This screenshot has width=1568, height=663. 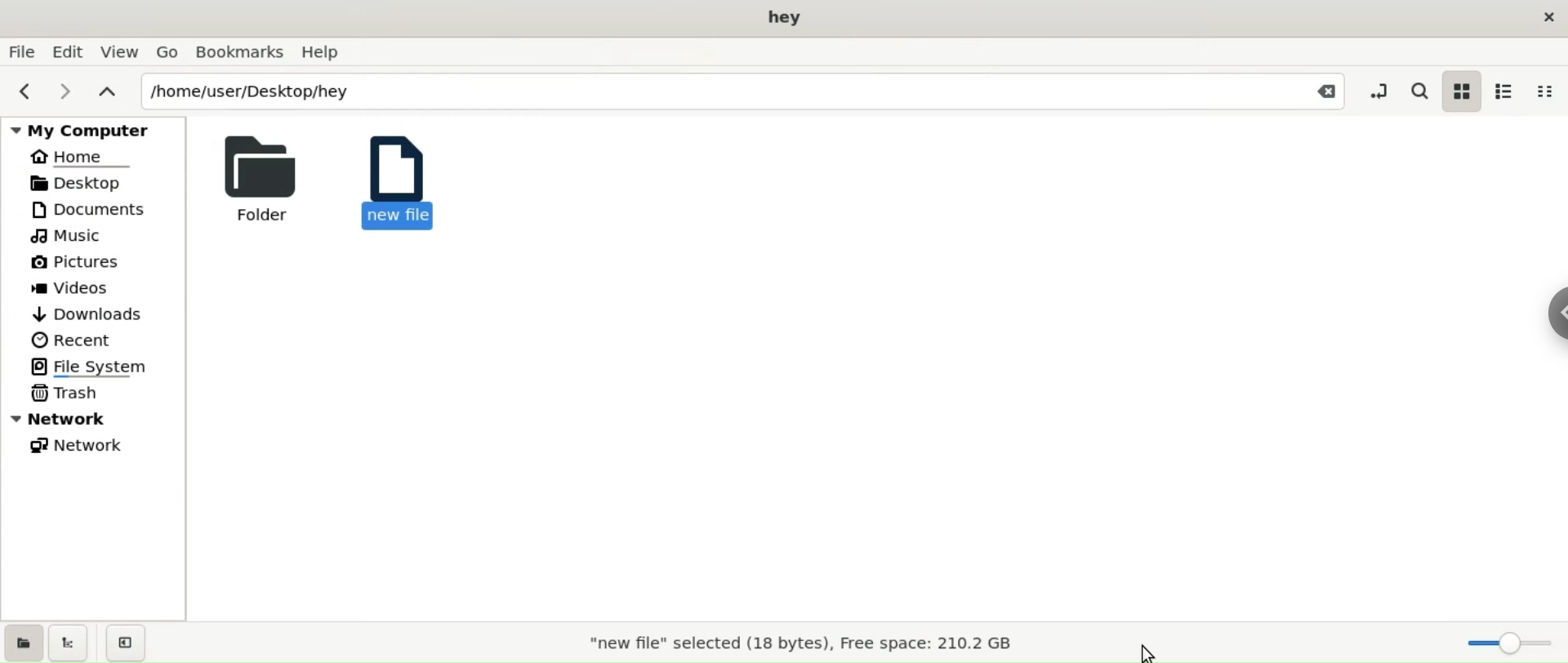 What do you see at coordinates (786, 18) in the screenshot?
I see `hey` at bounding box center [786, 18].